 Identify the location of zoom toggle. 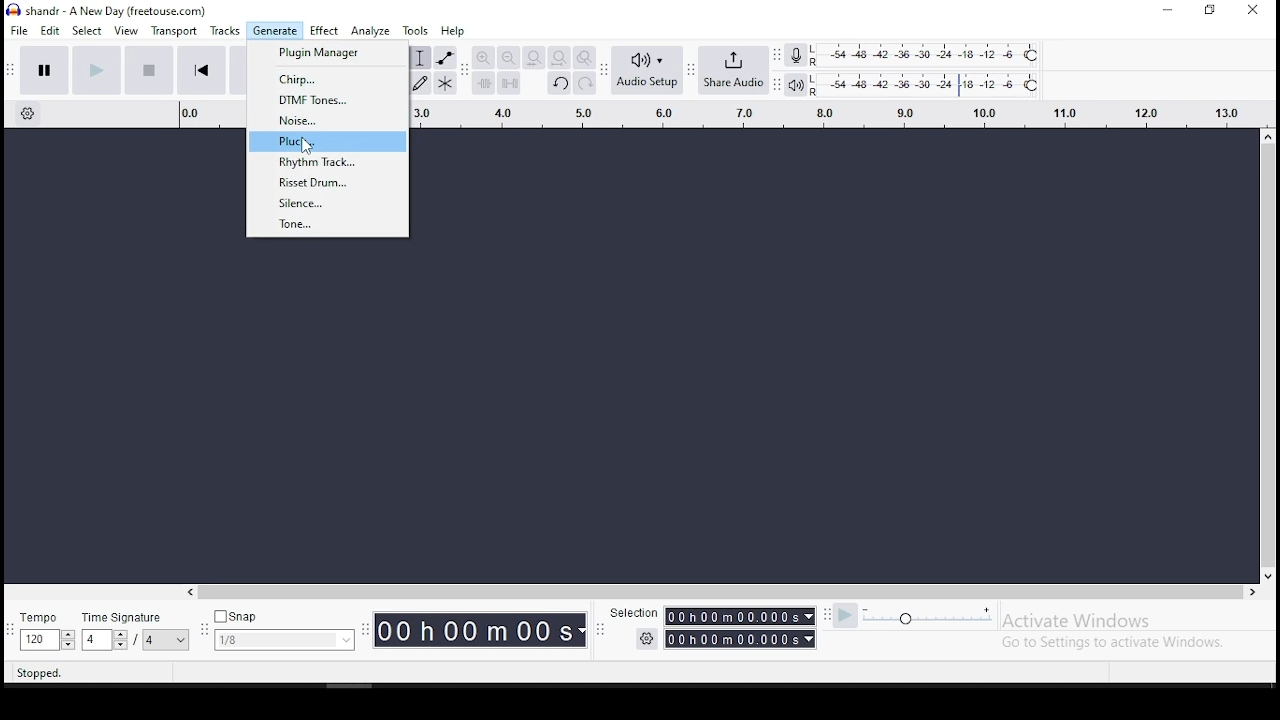
(586, 58).